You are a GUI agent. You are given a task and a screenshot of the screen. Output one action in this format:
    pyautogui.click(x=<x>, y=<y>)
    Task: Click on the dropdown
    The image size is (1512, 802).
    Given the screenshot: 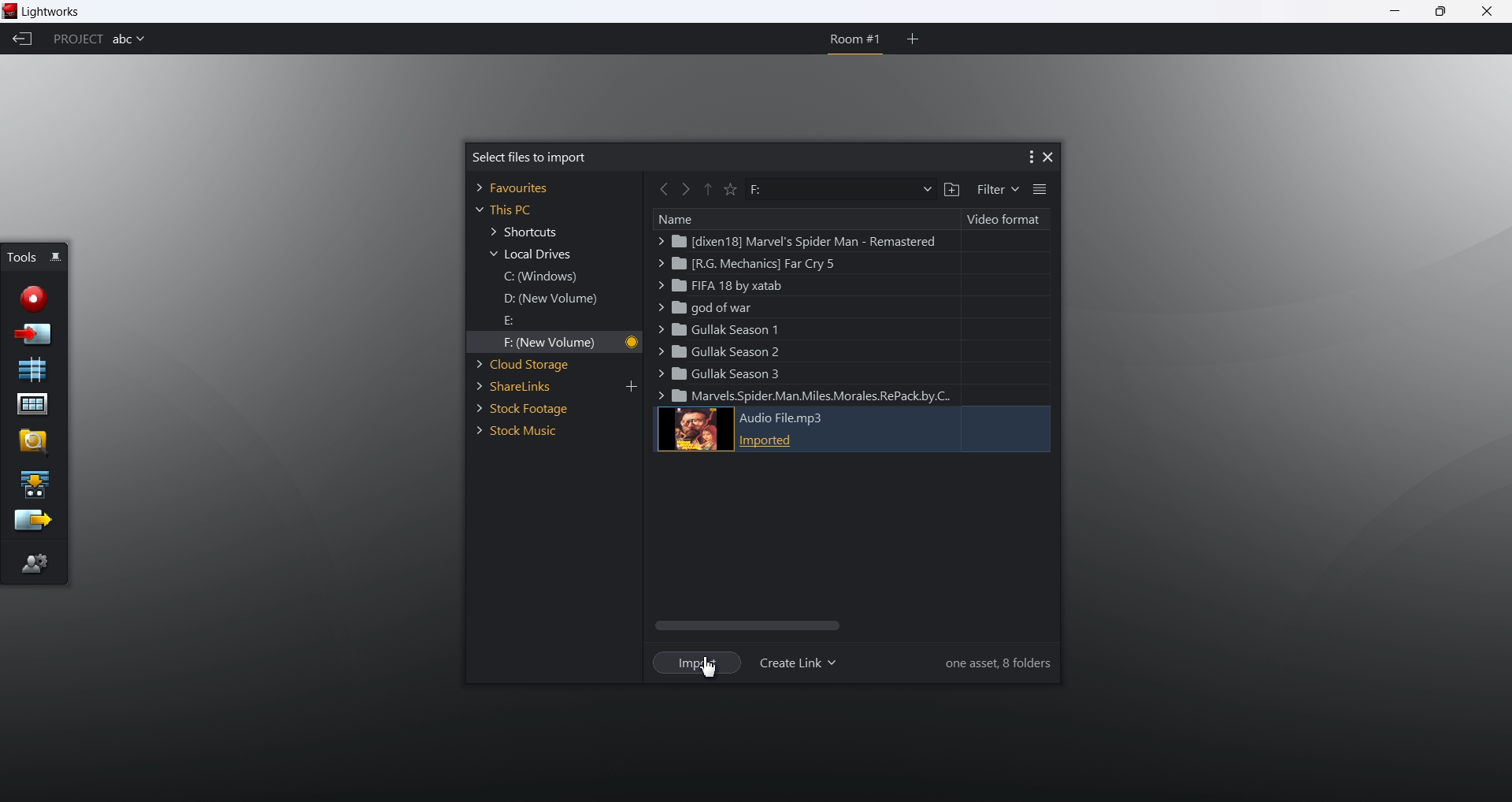 What is the action you would take?
    pyautogui.click(x=928, y=189)
    